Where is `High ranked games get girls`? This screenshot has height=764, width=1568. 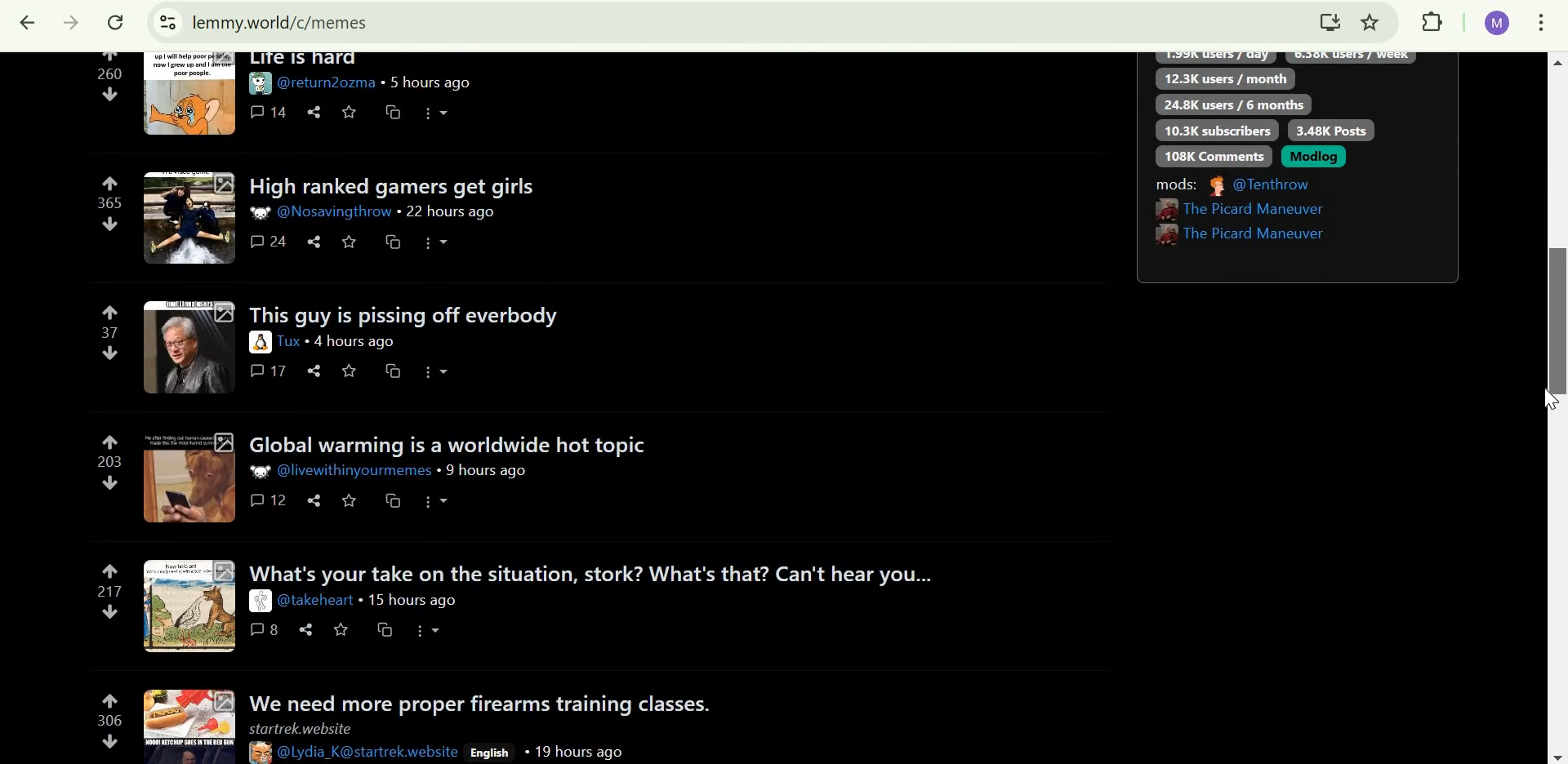
High ranked games get girls is located at coordinates (403, 187).